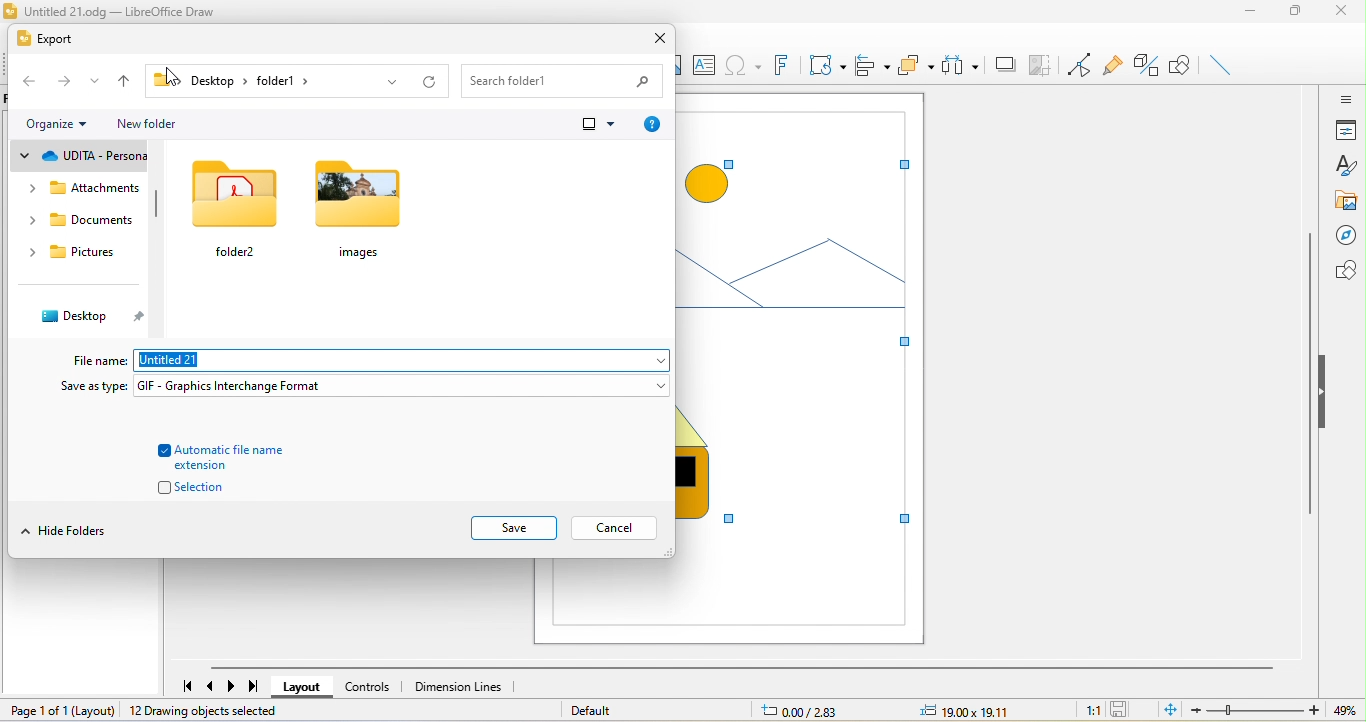 This screenshot has width=1366, height=722. Describe the element at coordinates (85, 317) in the screenshot. I see `desktop` at that location.